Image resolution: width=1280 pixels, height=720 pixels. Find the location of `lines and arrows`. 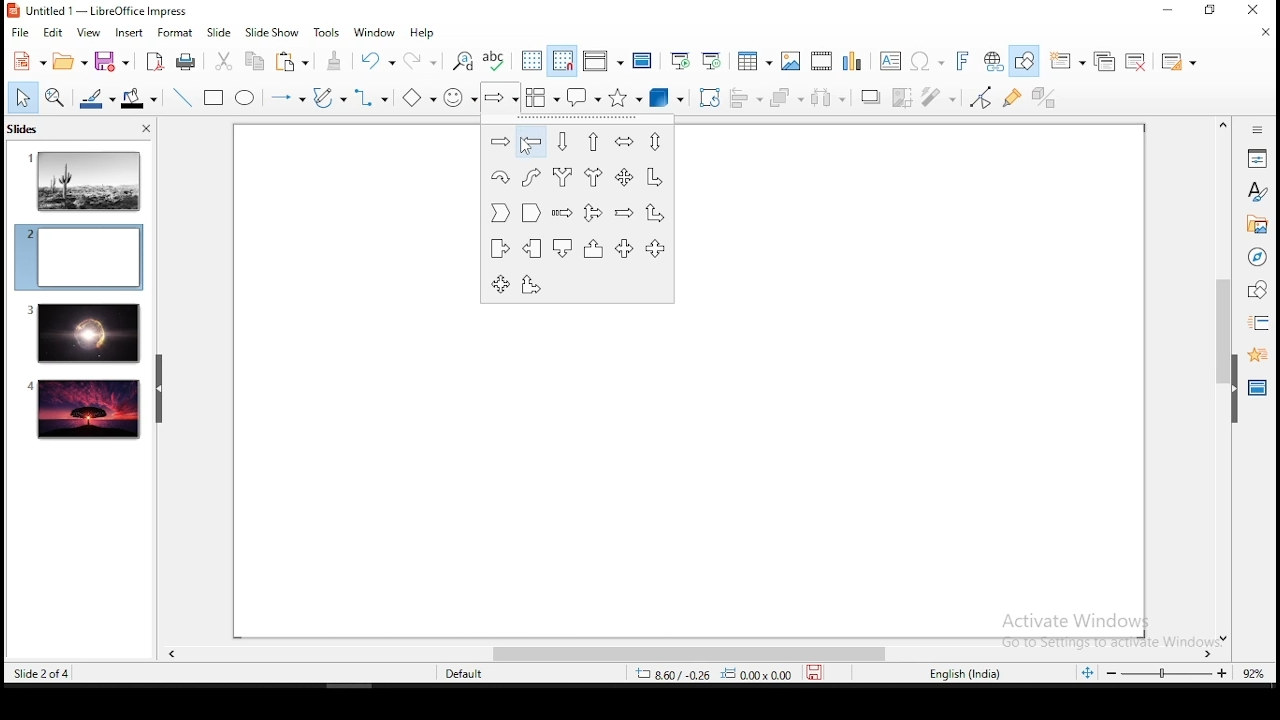

lines and arrows is located at coordinates (287, 98).